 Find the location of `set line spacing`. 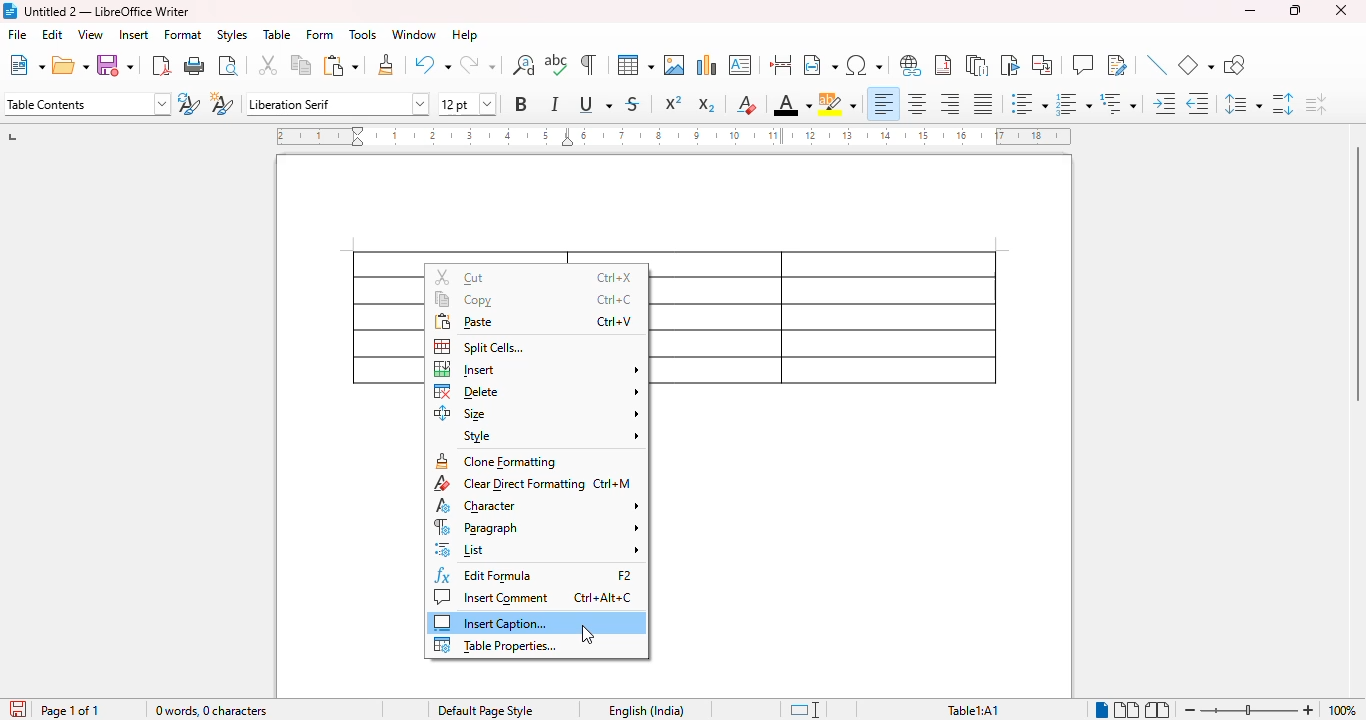

set line spacing is located at coordinates (1243, 103).